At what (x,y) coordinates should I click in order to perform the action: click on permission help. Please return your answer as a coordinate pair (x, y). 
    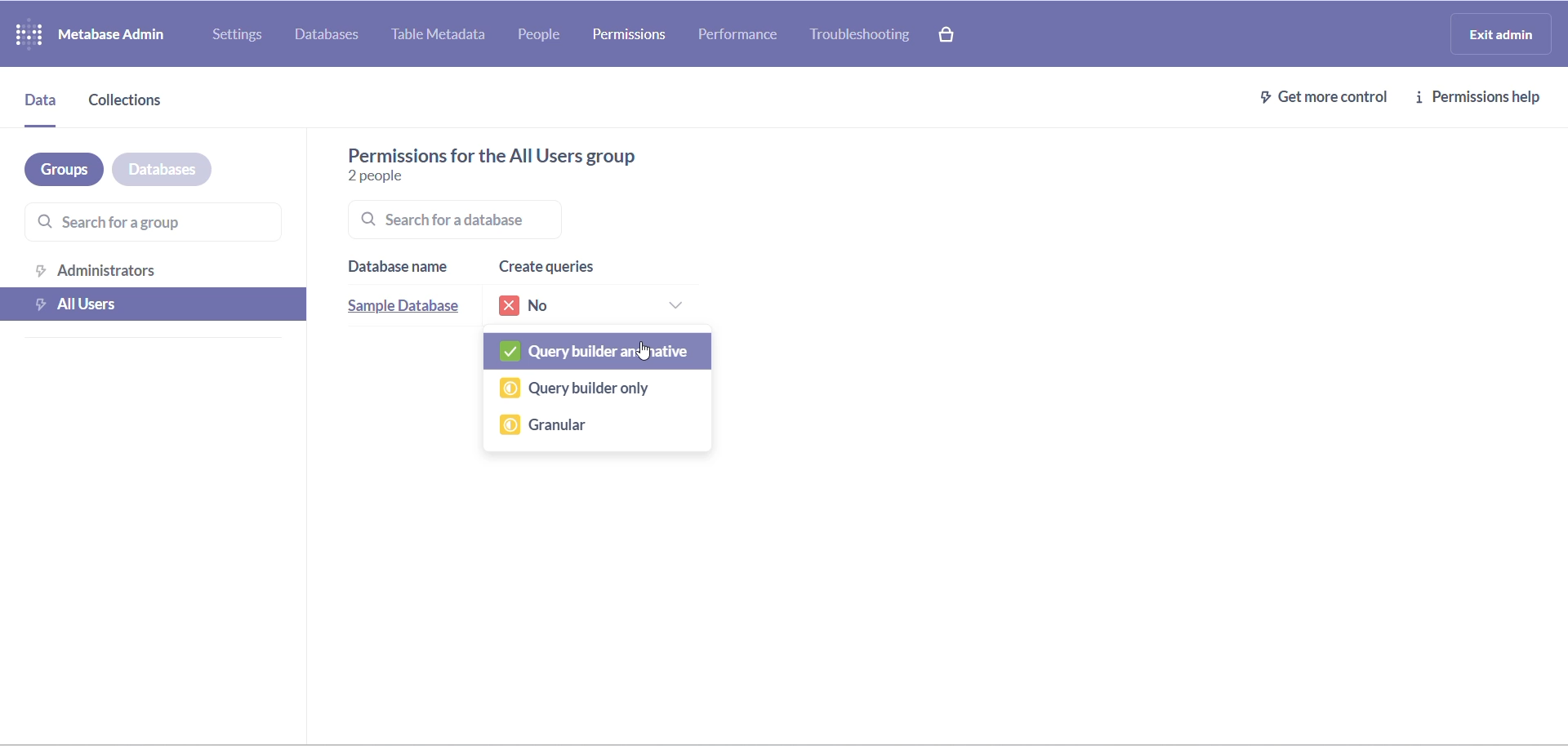
    Looking at the image, I should click on (1481, 100).